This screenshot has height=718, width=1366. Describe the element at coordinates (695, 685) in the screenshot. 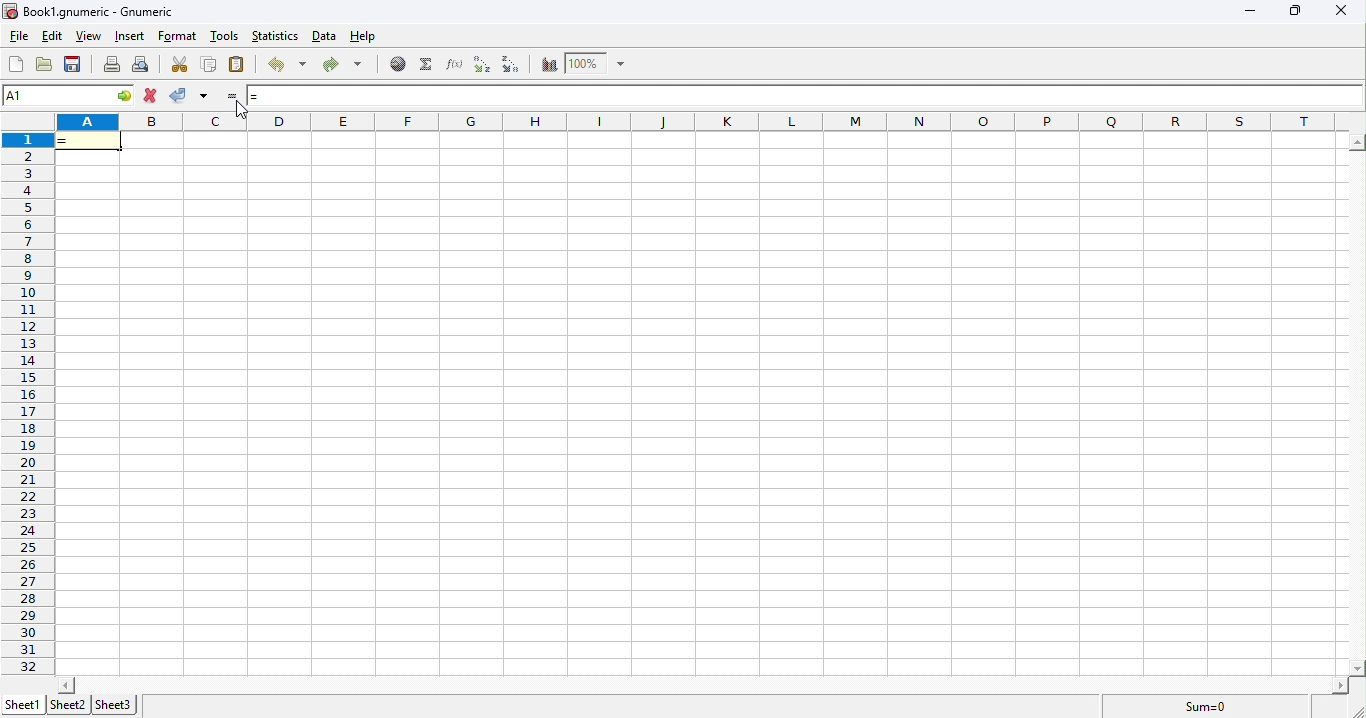

I see `space for horizontal scroll bar` at that location.